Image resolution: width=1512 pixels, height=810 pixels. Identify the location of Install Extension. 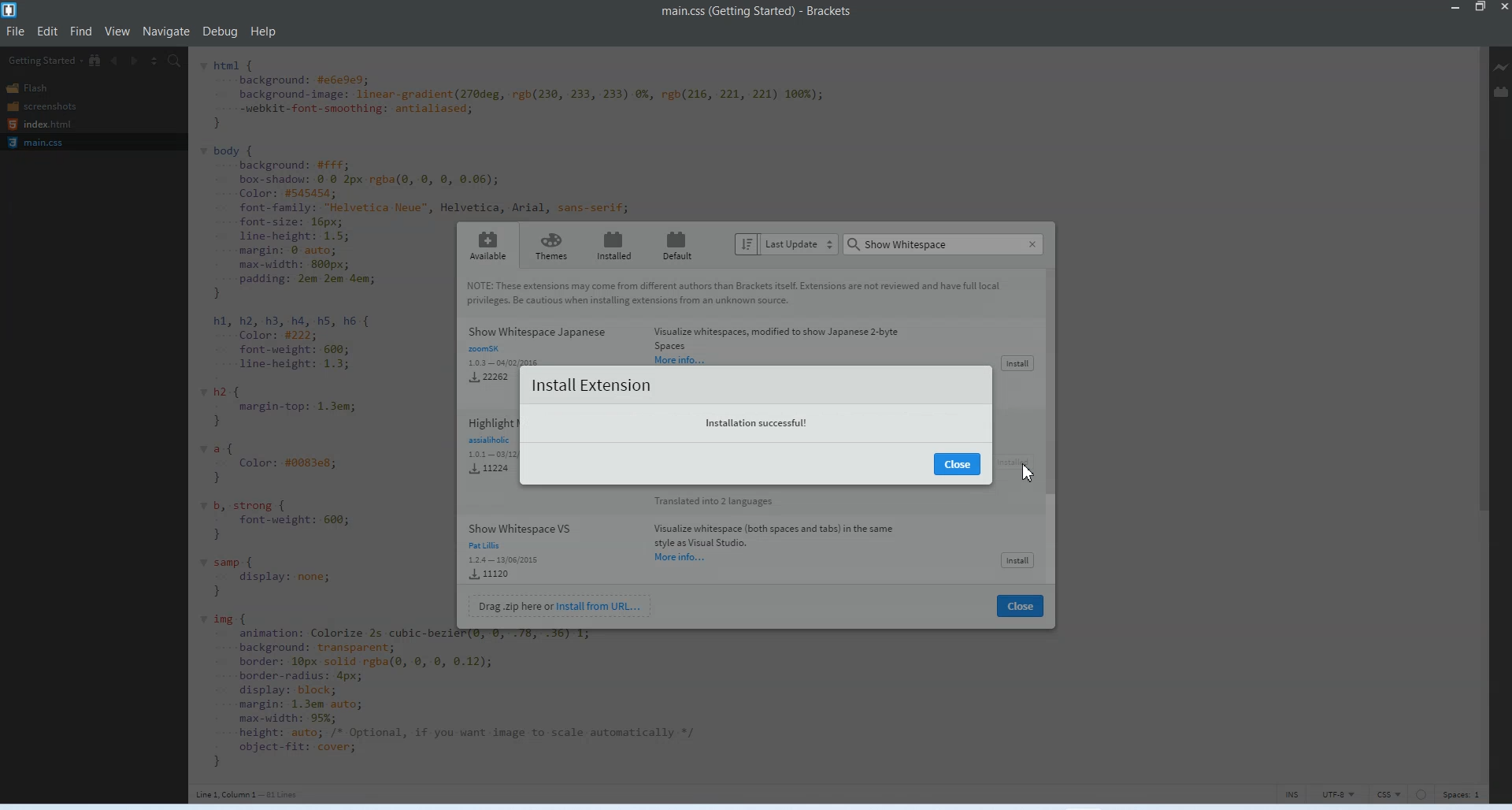
(594, 385).